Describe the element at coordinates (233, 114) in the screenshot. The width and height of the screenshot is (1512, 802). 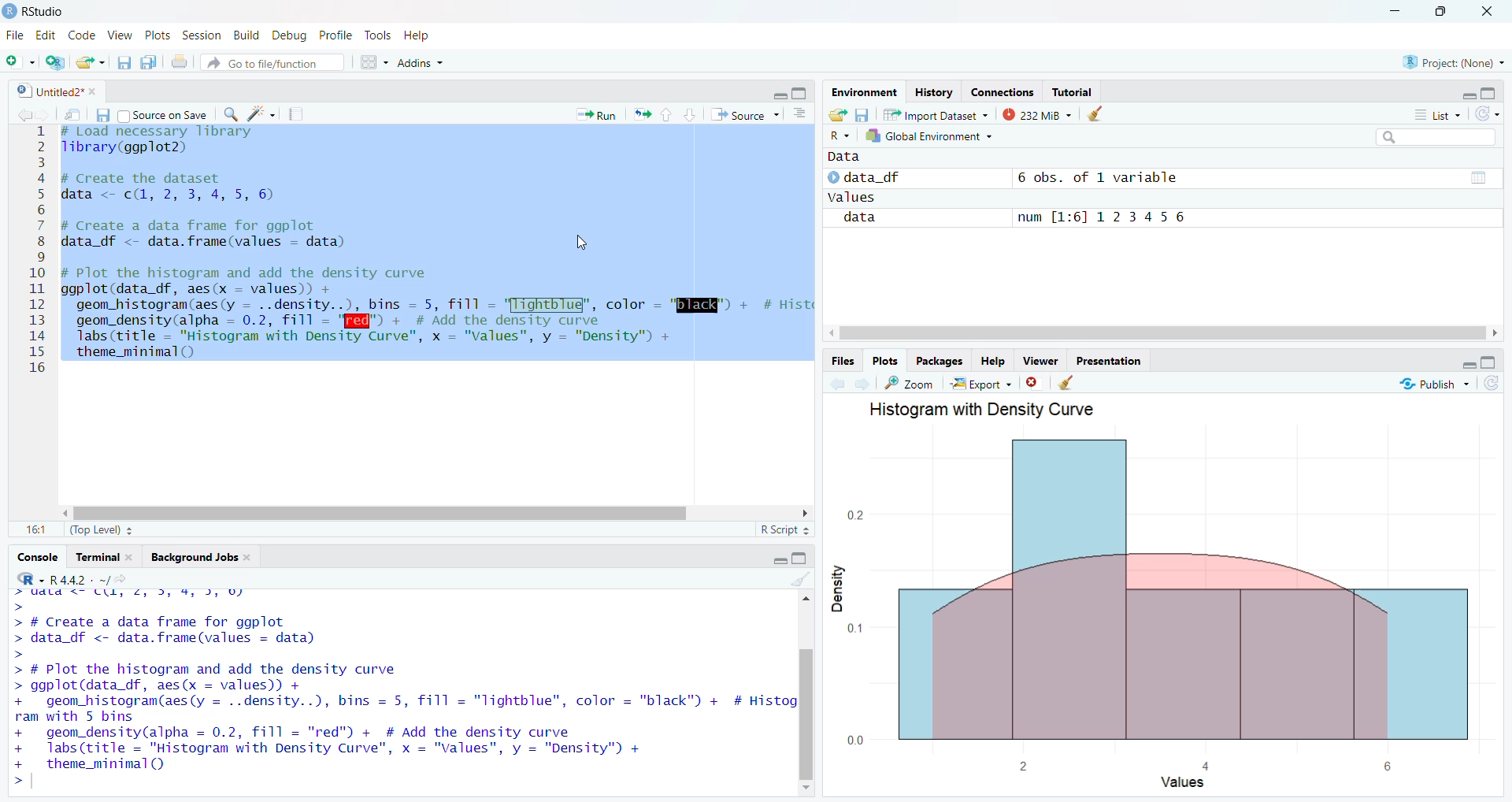
I see `find/replace` at that location.